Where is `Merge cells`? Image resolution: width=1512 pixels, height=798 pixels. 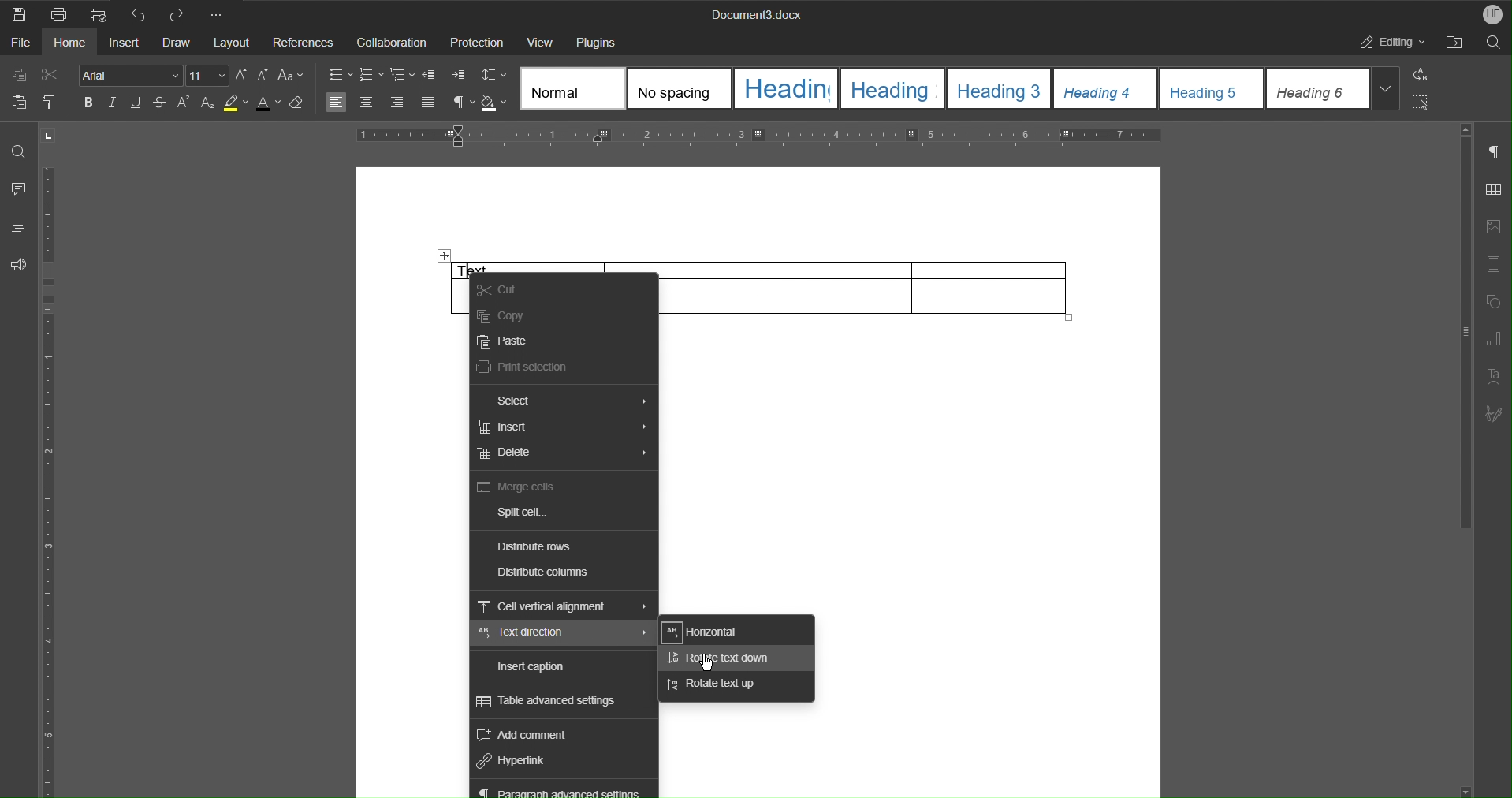
Merge cells is located at coordinates (520, 488).